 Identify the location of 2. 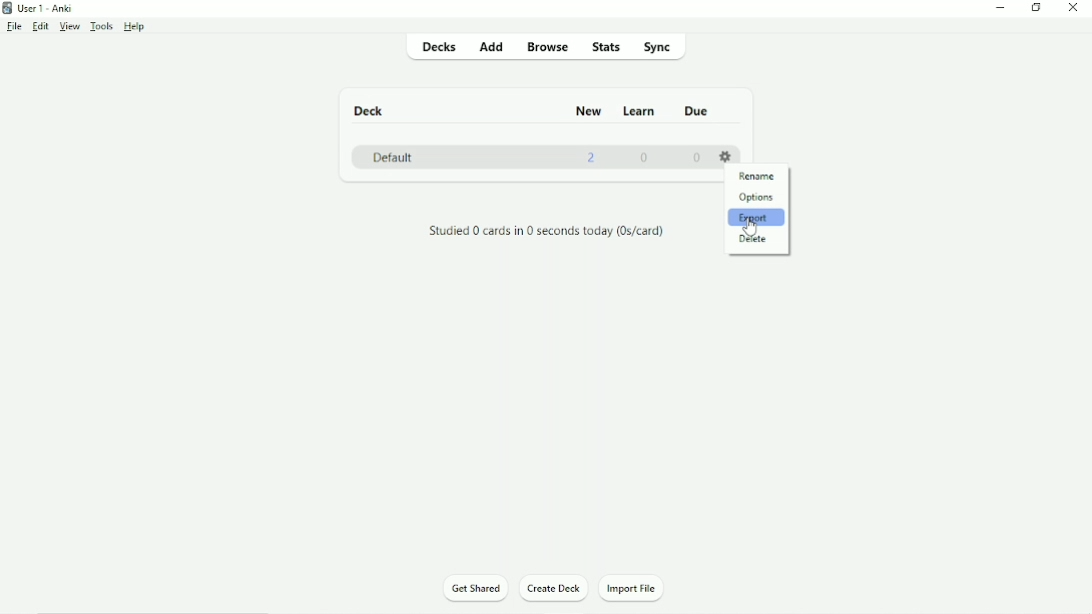
(591, 159).